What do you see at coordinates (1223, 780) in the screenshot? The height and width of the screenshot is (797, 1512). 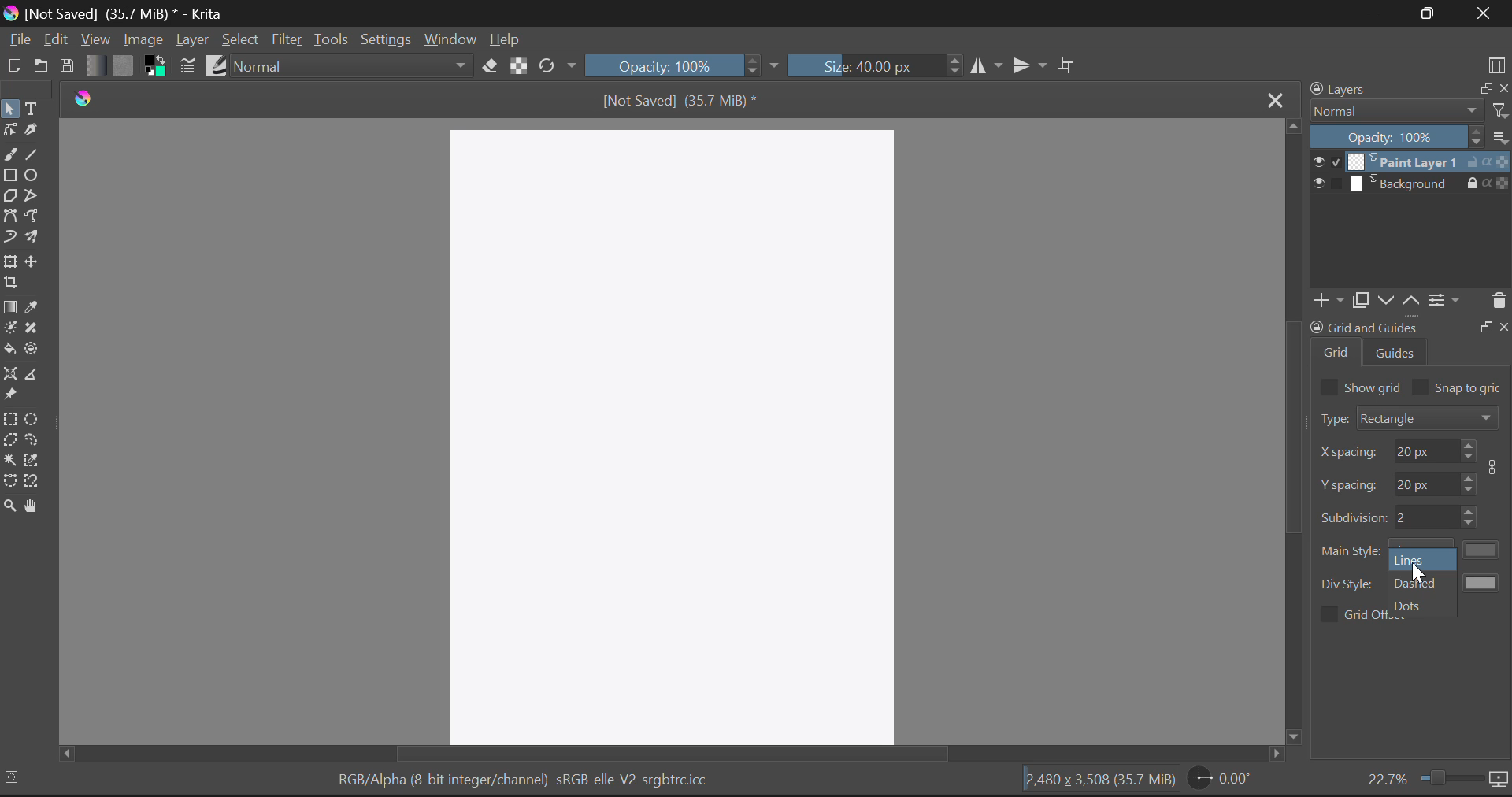 I see `Page Rotation` at bounding box center [1223, 780].